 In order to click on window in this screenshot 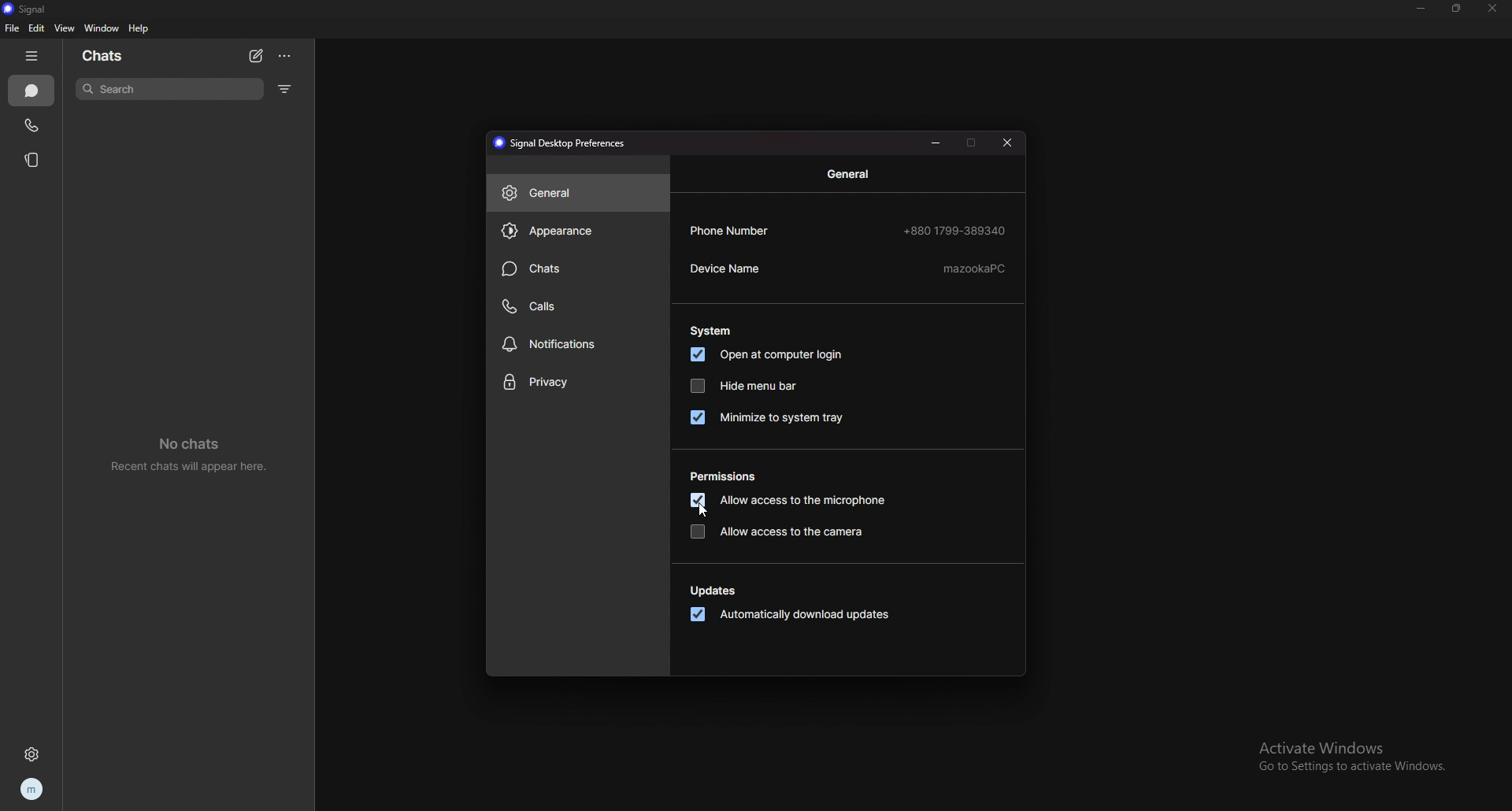, I will do `click(102, 28)`.